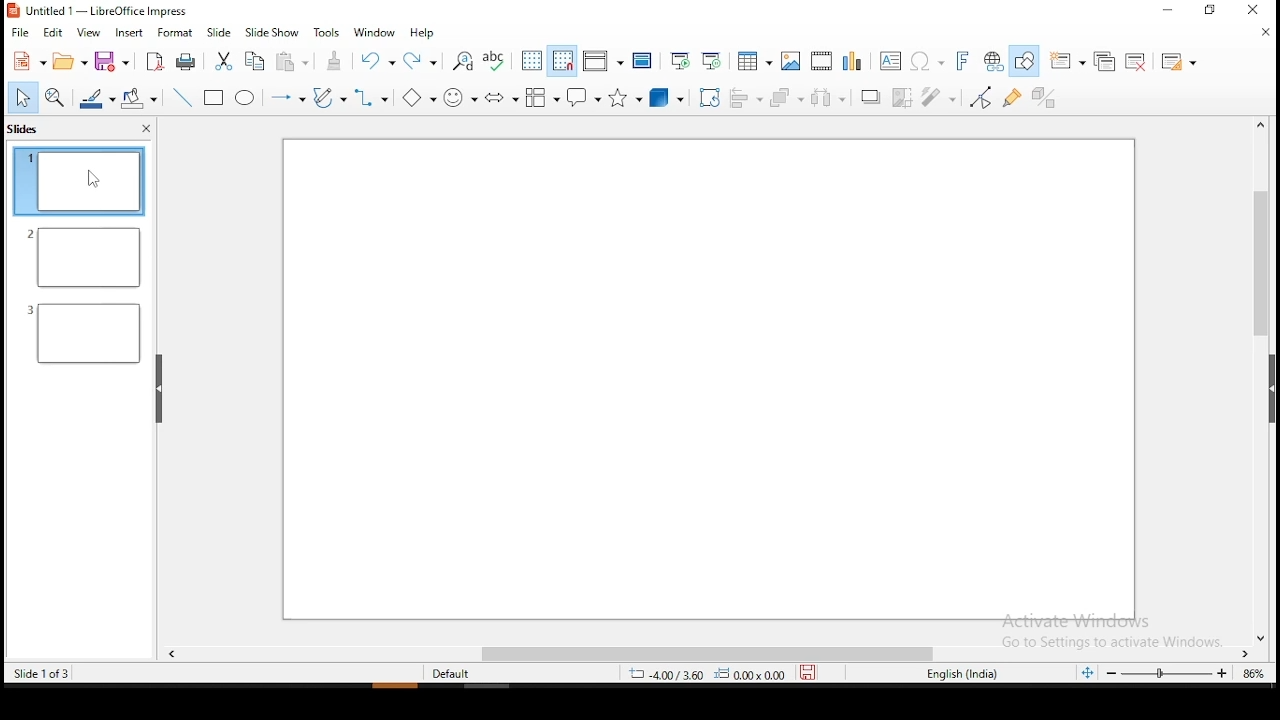 The height and width of the screenshot is (720, 1280). I want to click on display grid, so click(532, 62).